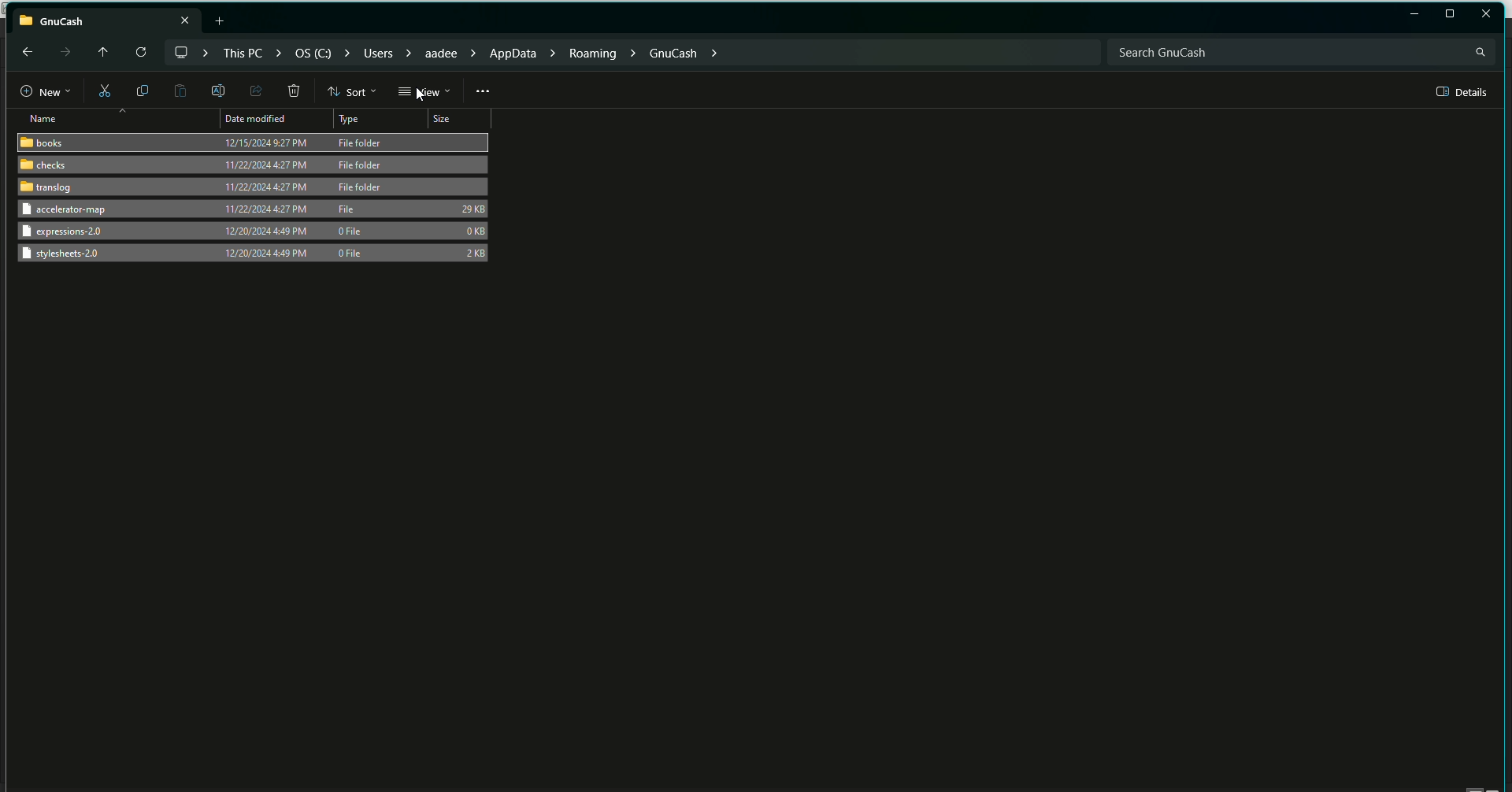  Describe the element at coordinates (139, 53) in the screenshot. I see `Refresh` at that location.